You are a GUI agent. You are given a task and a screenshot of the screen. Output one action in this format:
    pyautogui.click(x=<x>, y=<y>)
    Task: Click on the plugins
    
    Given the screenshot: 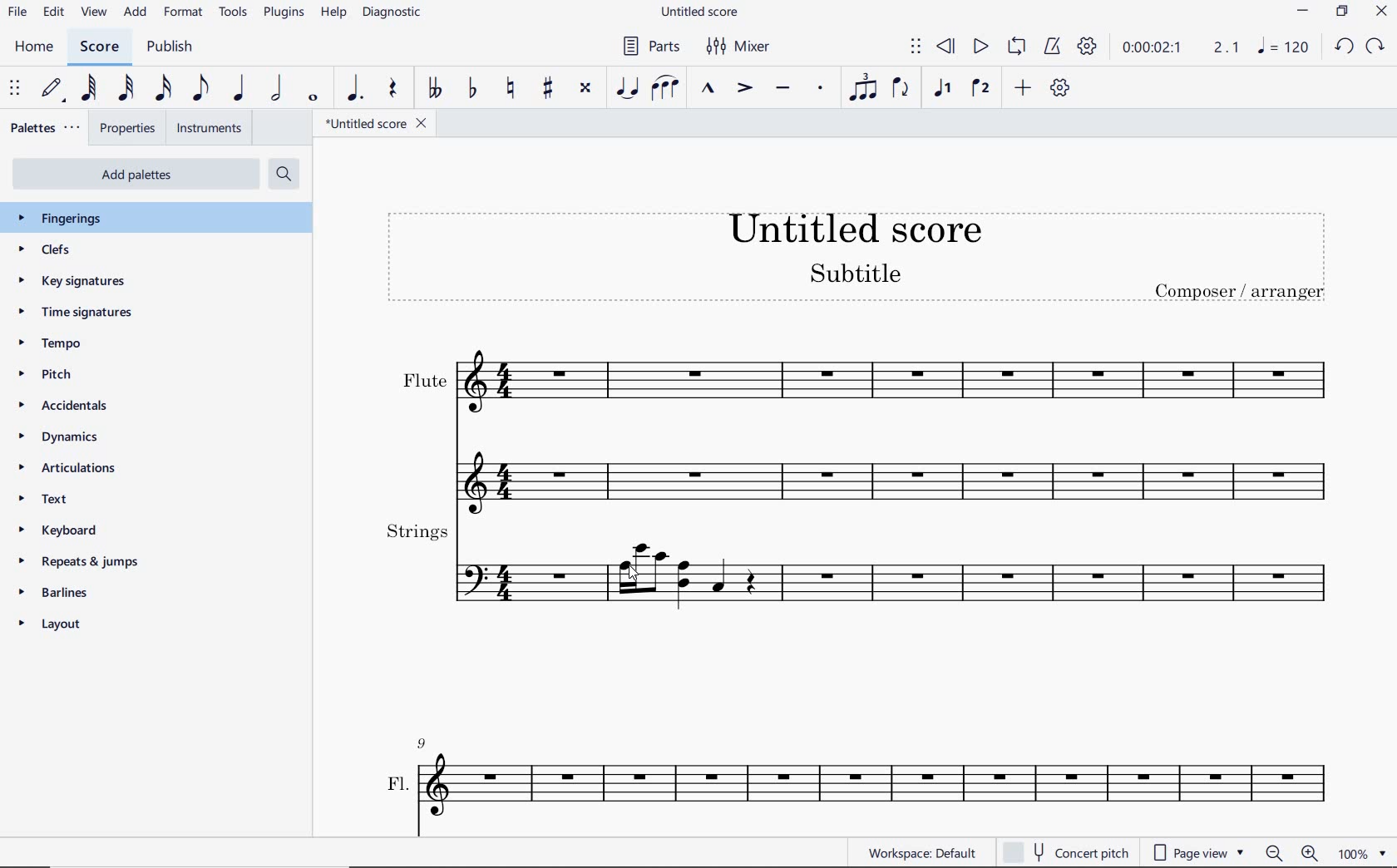 What is the action you would take?
    pyautogui.click(x=284, y=15)
    